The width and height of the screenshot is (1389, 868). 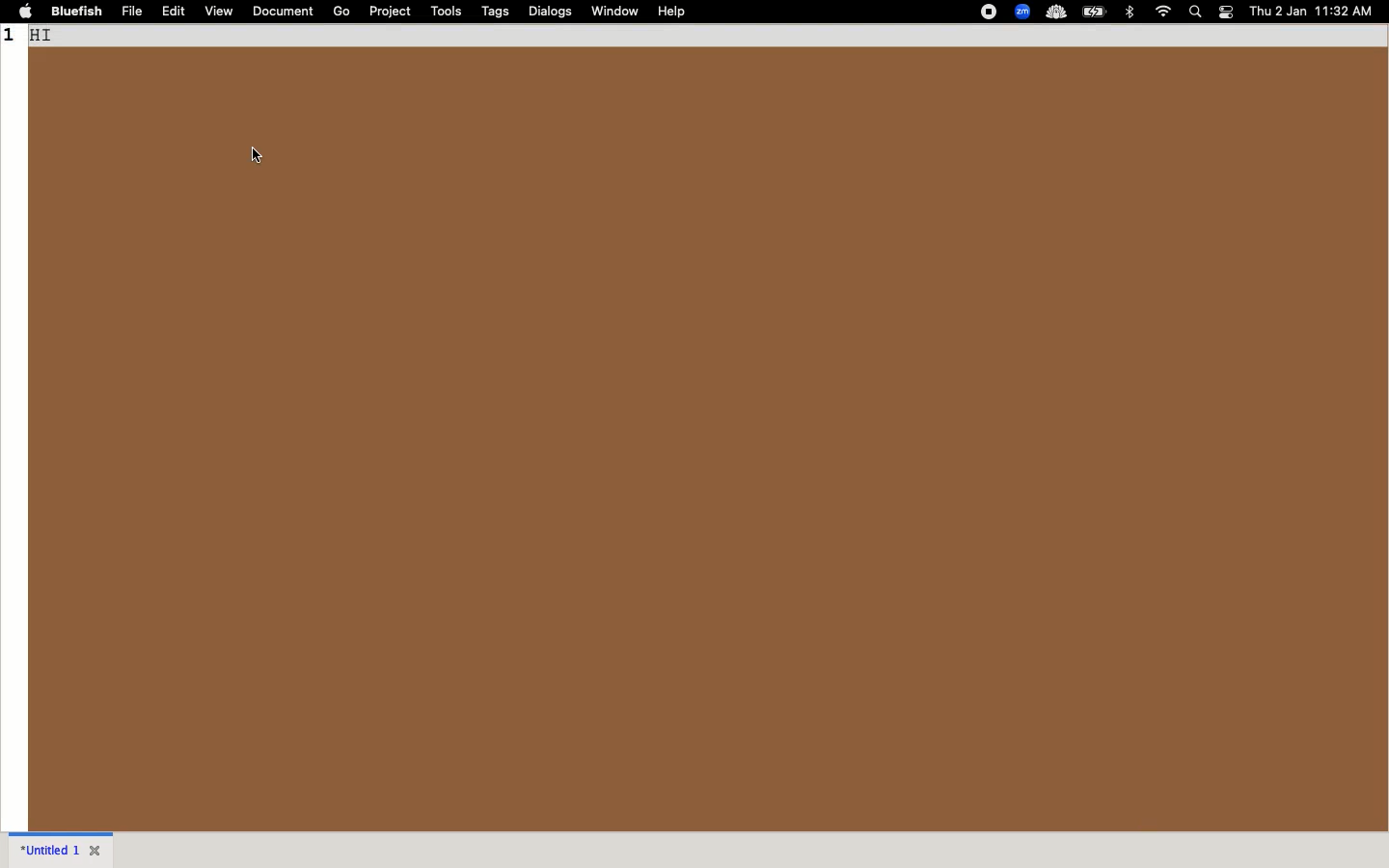 What do you see at coordinates (446, 12) in the screenshot?
I see `tools` at bounding box center [446, 12].